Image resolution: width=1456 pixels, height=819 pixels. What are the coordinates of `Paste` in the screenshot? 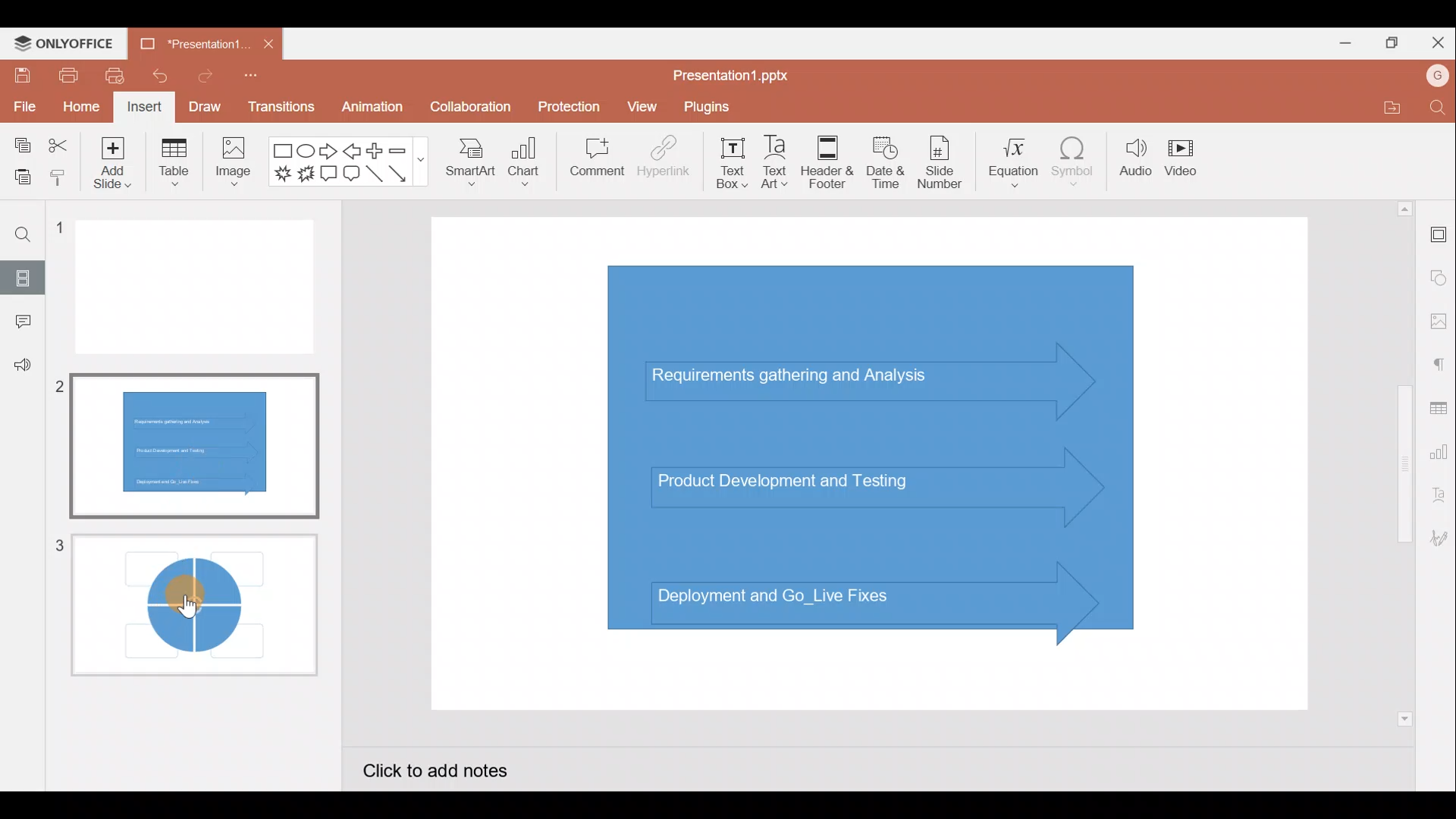 It's located at (20, 174).